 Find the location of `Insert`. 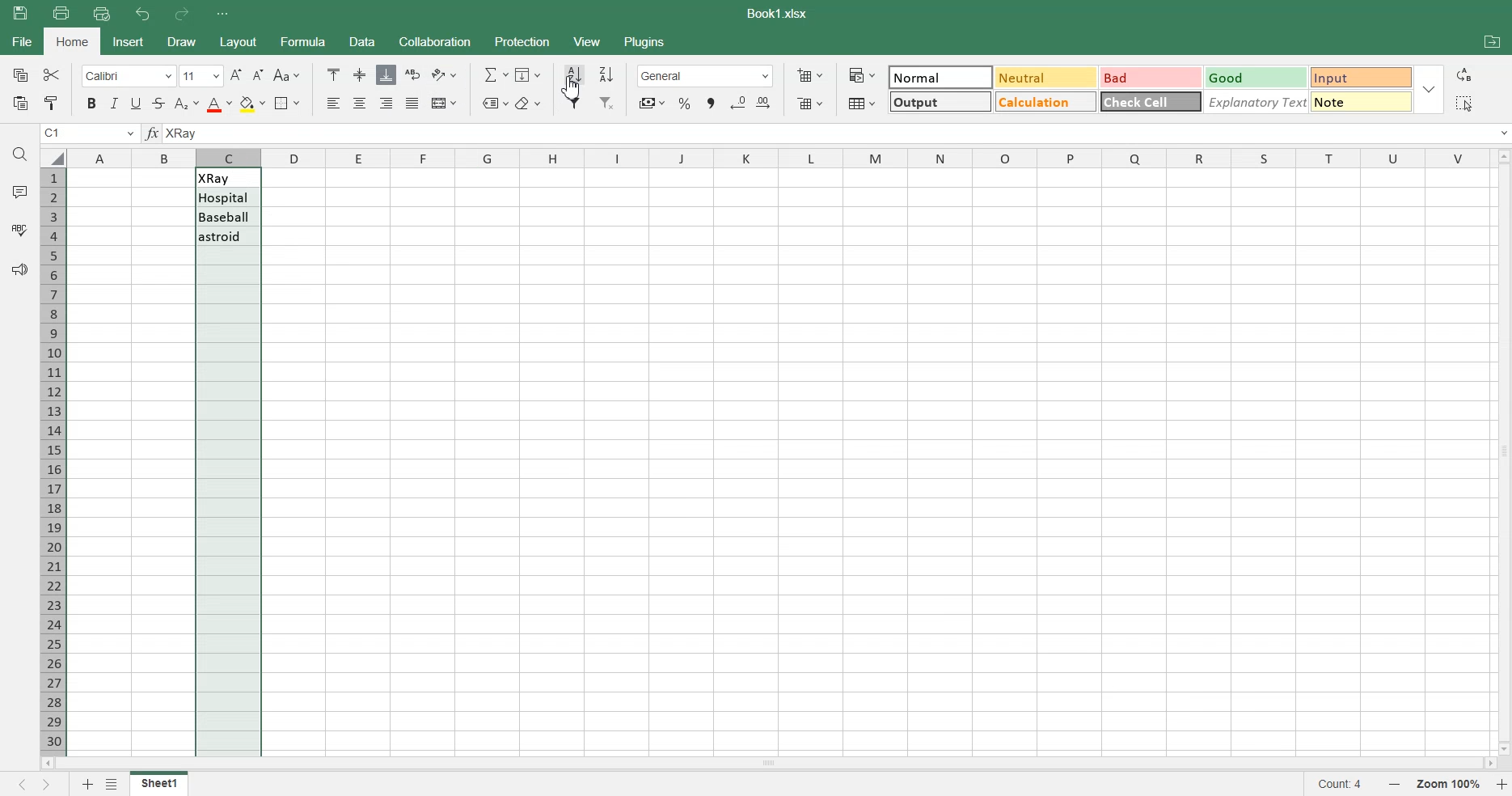

Insert is located at coordinates (129, 41).